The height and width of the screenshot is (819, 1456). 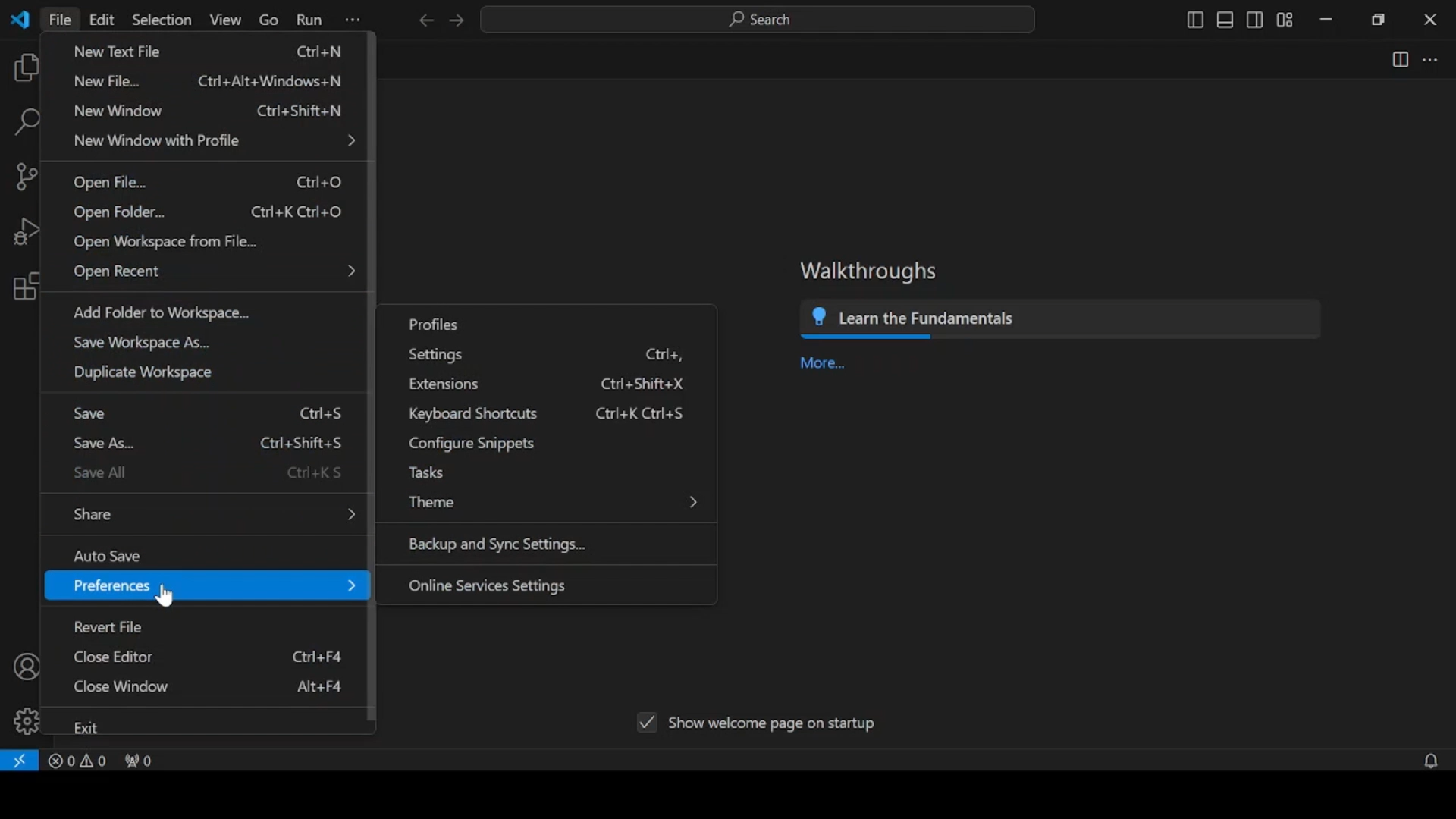 I want to click on configure snippets, so click(x=475, y=444).